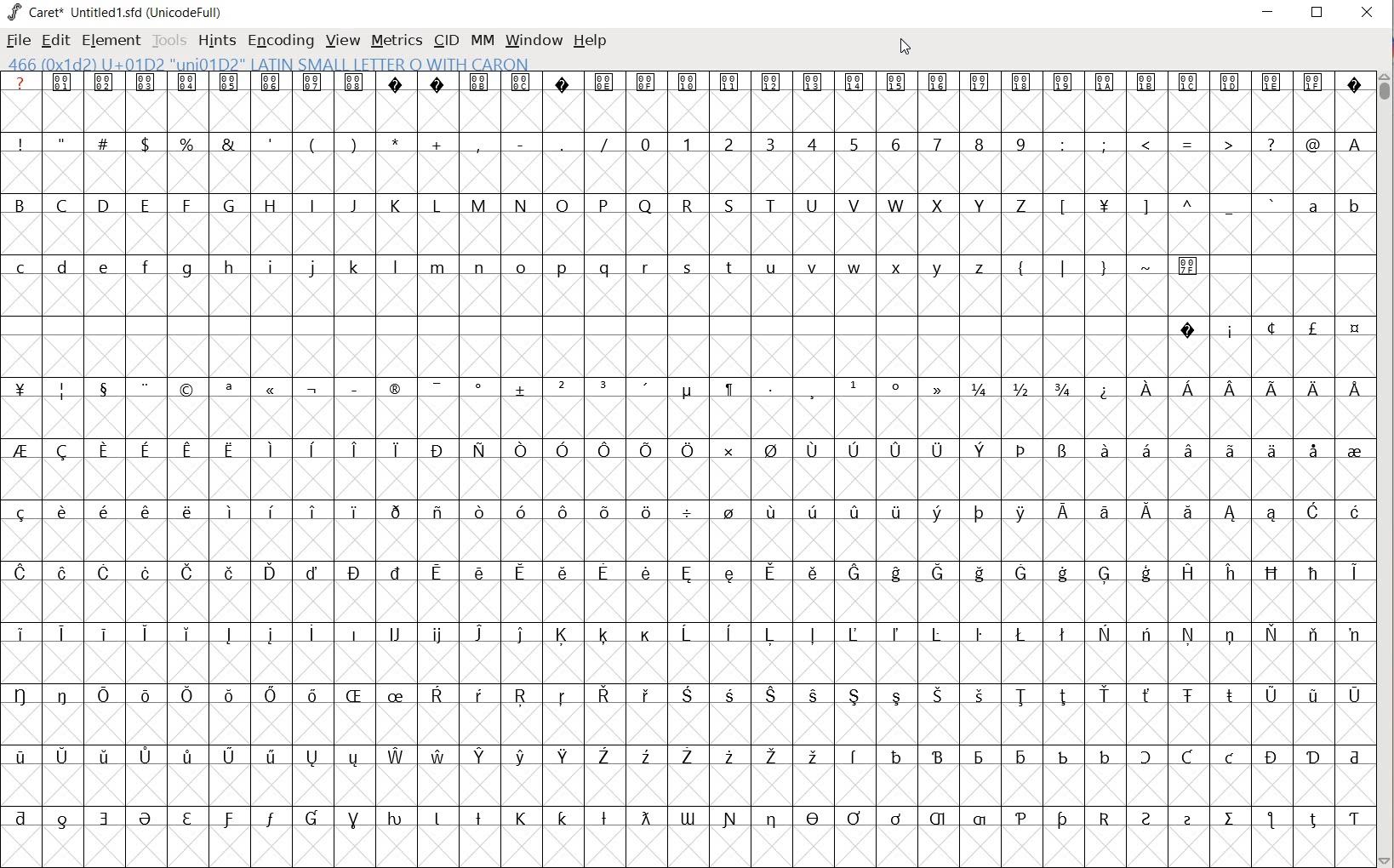 Image resolution: width=1394 pixels, height=868 pixels. I want to click on CLOSE, so click(1365, 14).